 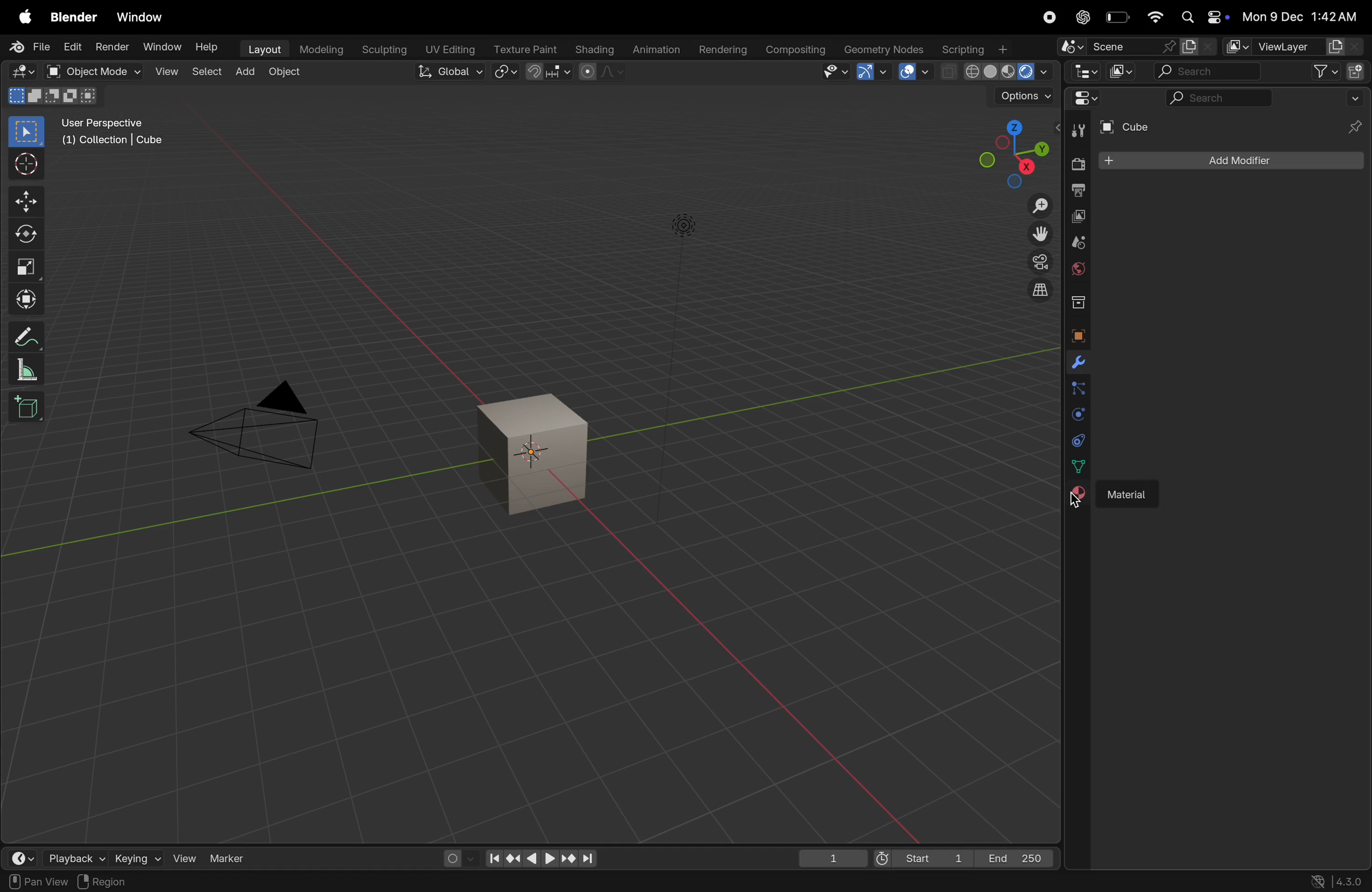 What do you see at coordinates (73, 46) in the screenshot?
I see `Edit` at bounding box center [73, 46].